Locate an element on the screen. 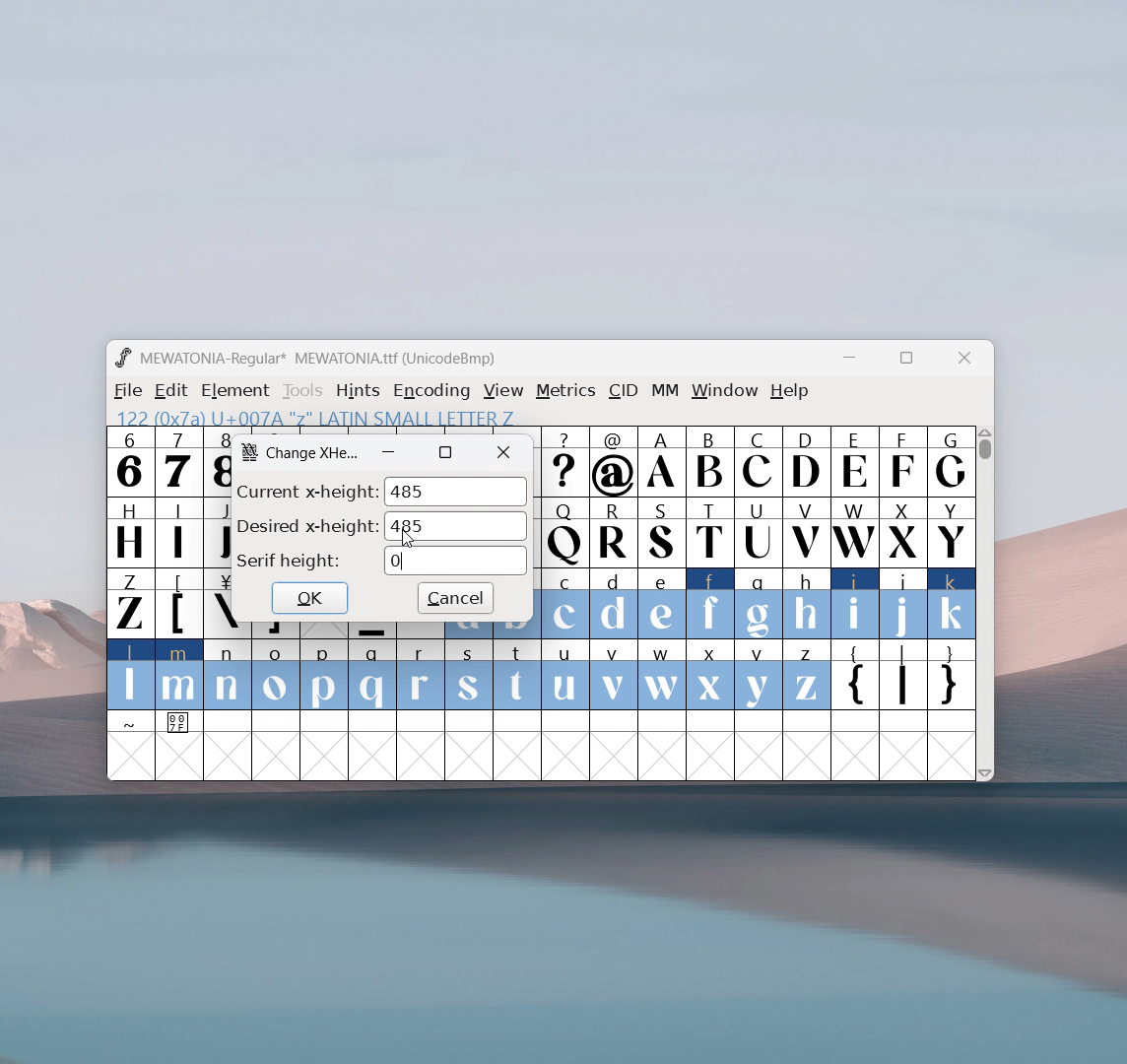  encoding is located at coordinates (431, 389).